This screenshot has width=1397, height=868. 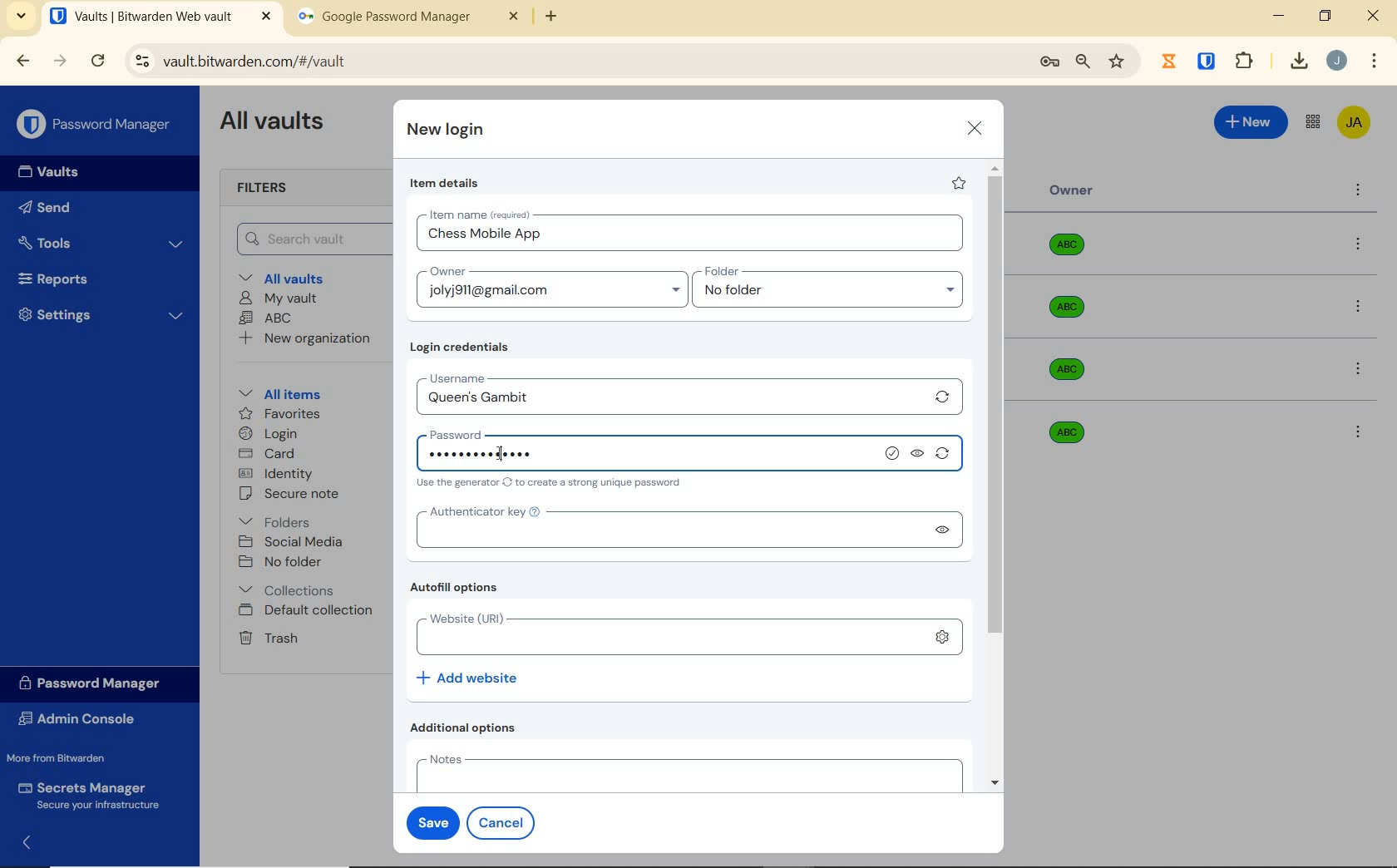 I want to click on Admin Console, so click(x=81, y=721).